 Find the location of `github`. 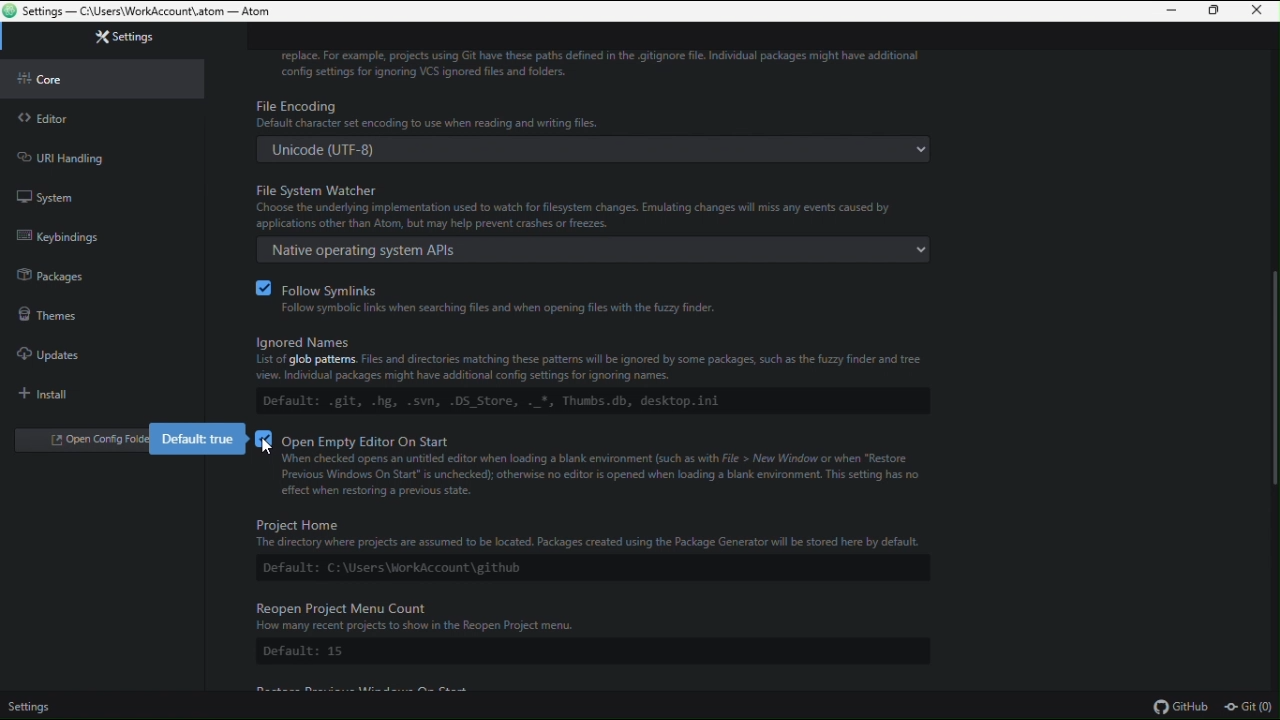

github is located at coordinates (1187, 708).